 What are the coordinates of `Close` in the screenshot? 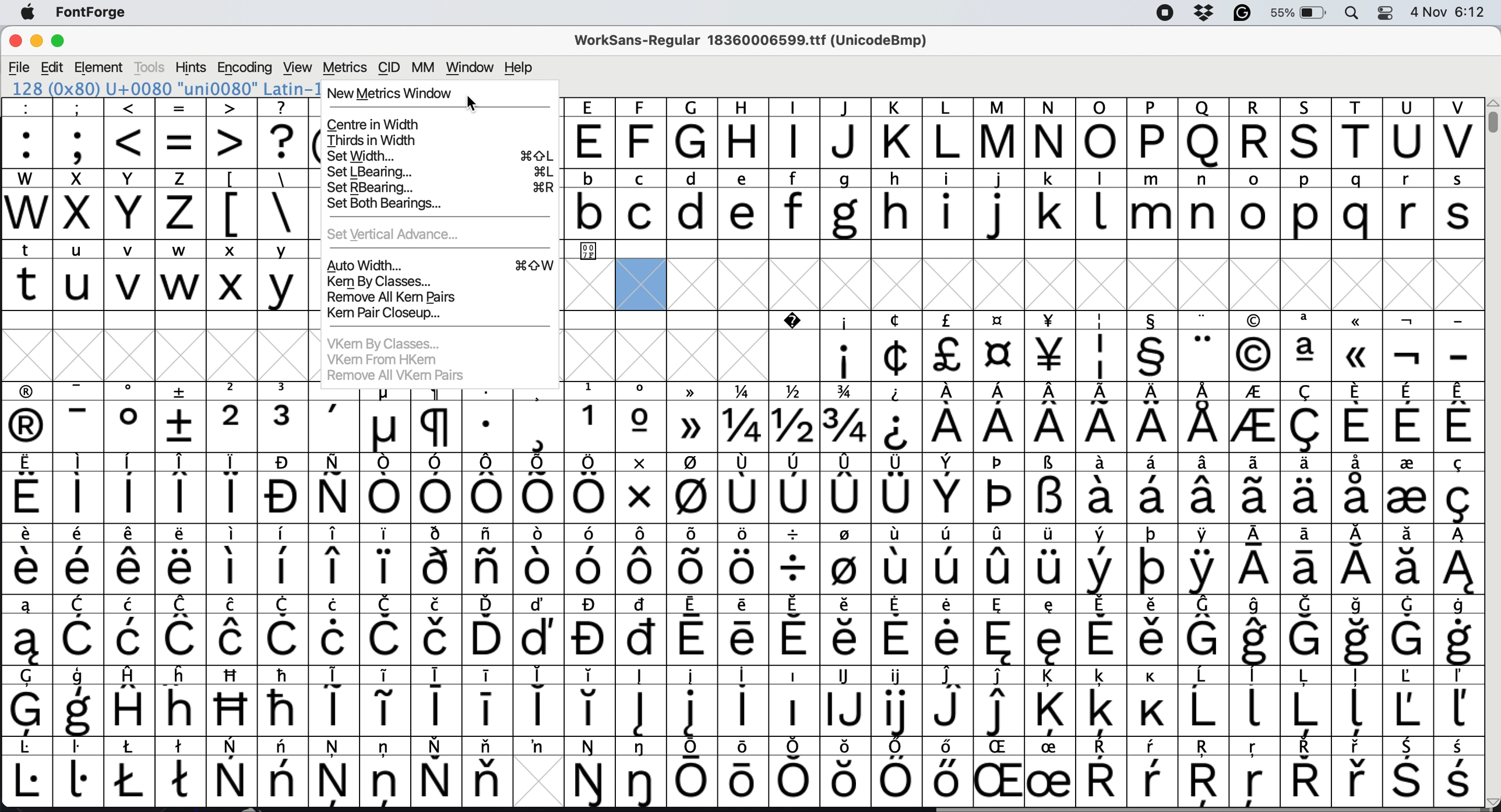 It's located at (15, 38).